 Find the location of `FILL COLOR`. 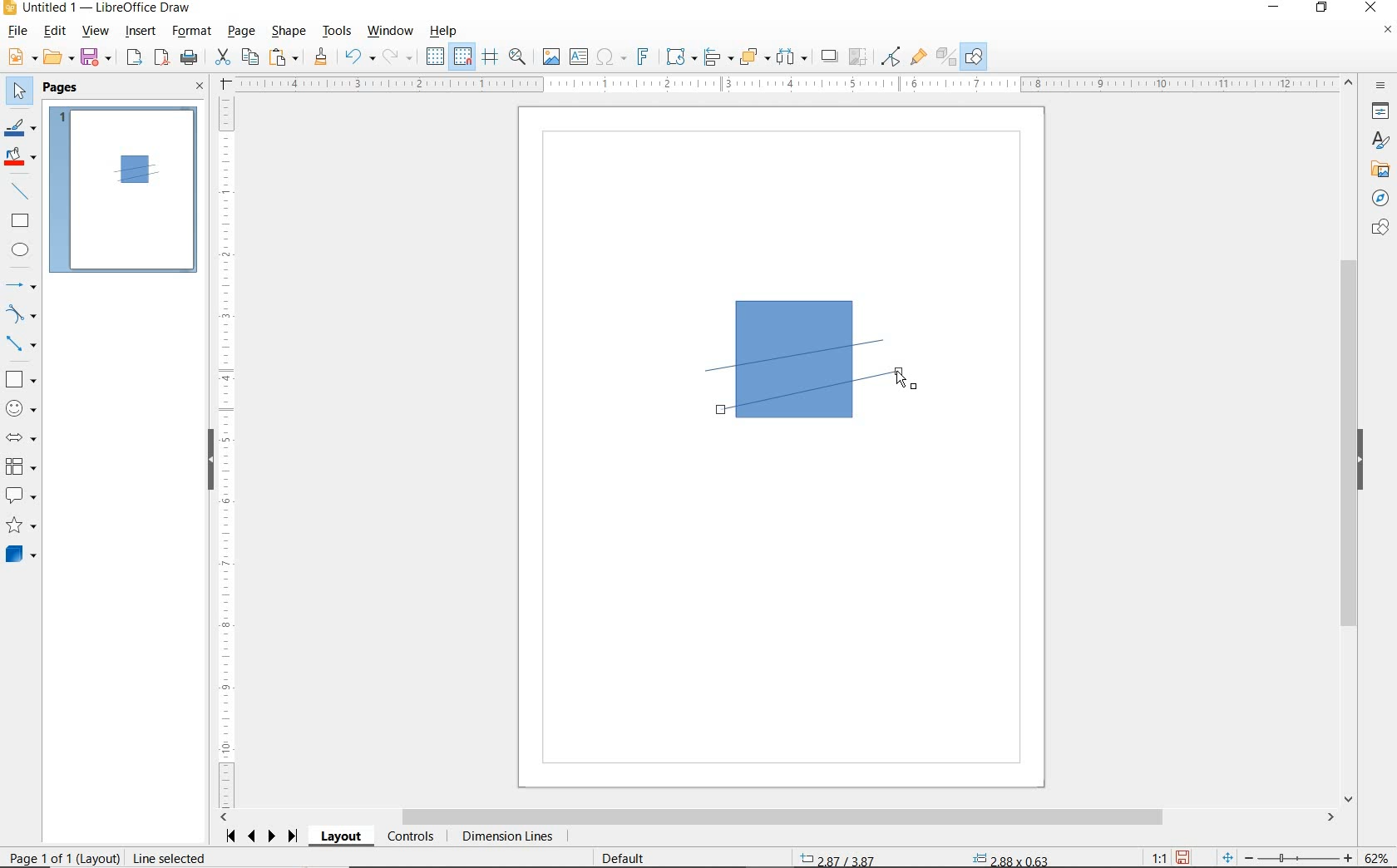

FILL COLOR is located at coordinates (22, 159).